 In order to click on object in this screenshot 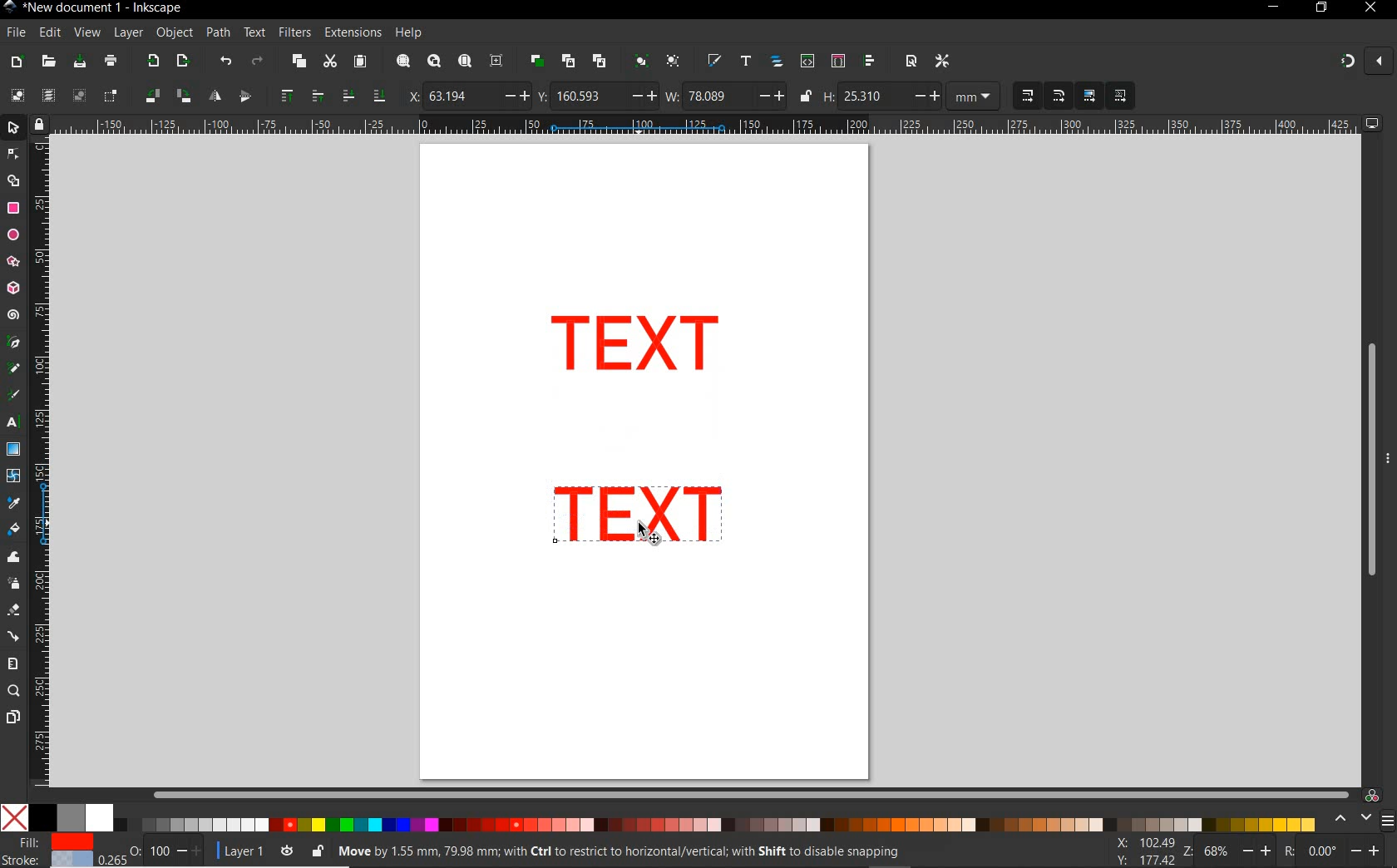, I will do `click(175, 33)`.